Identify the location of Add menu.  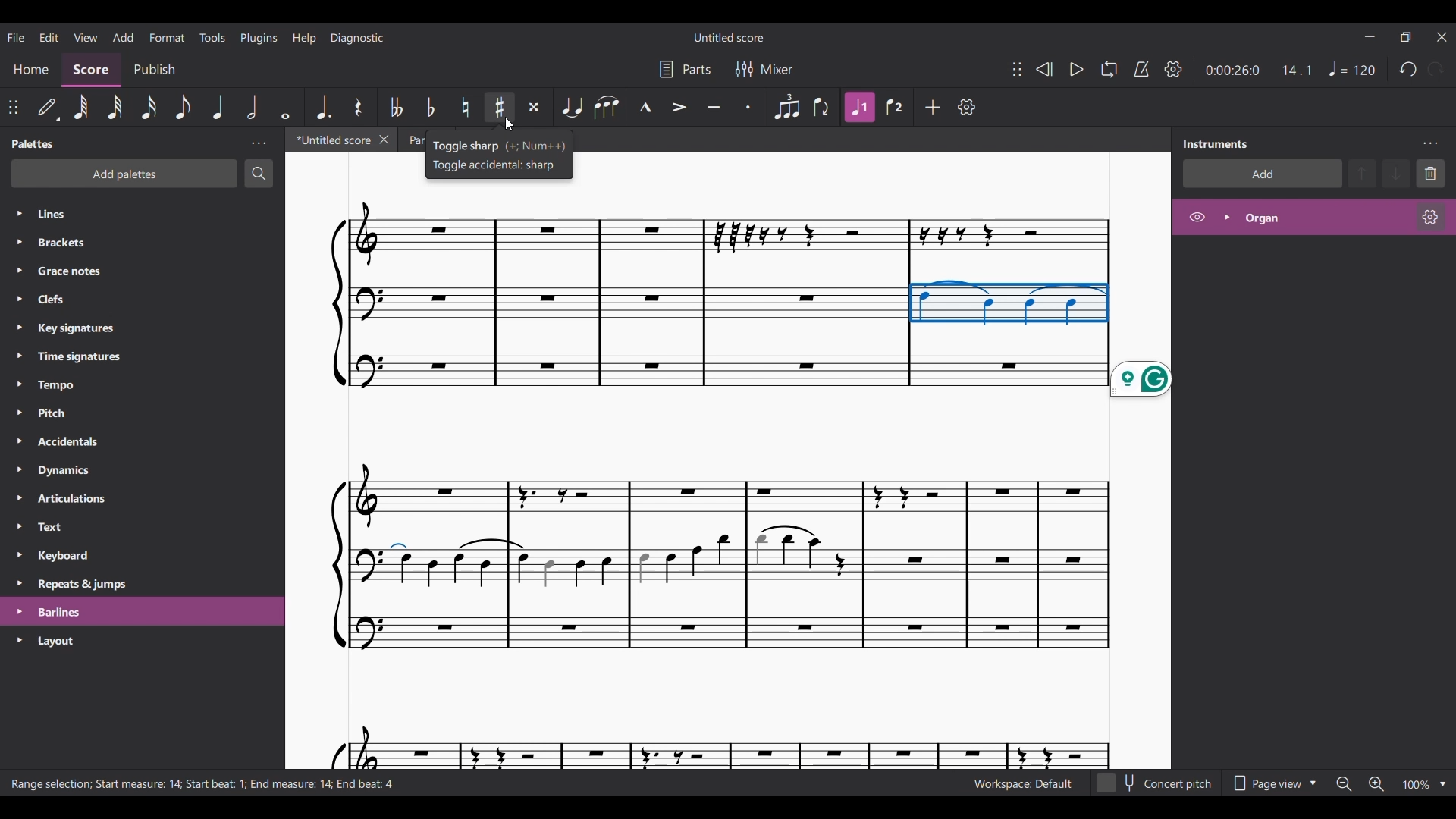
(124, 36).